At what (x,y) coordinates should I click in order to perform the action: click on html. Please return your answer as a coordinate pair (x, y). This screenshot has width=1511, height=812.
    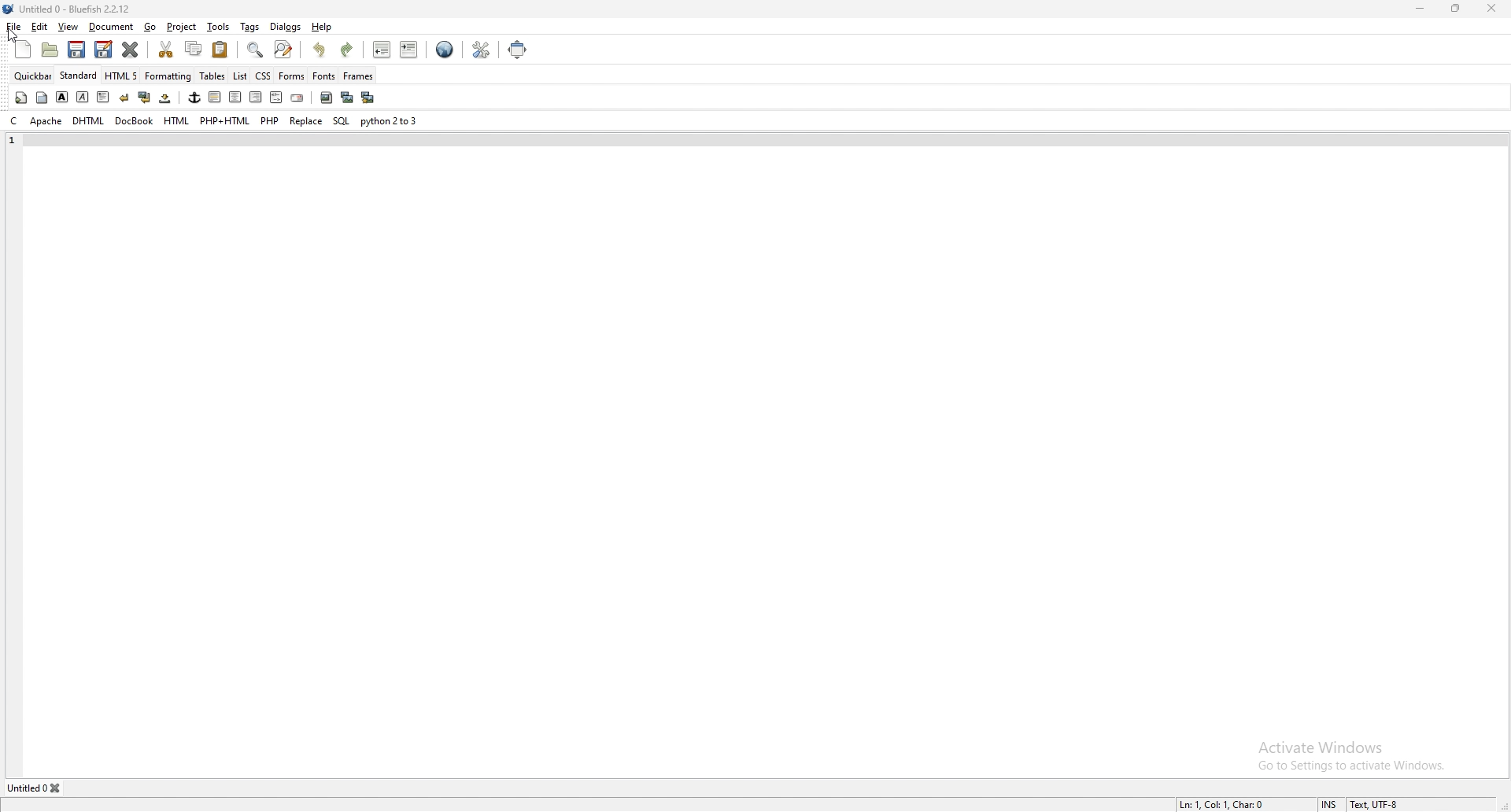
    Looking at the image, I should click on (177, 121).